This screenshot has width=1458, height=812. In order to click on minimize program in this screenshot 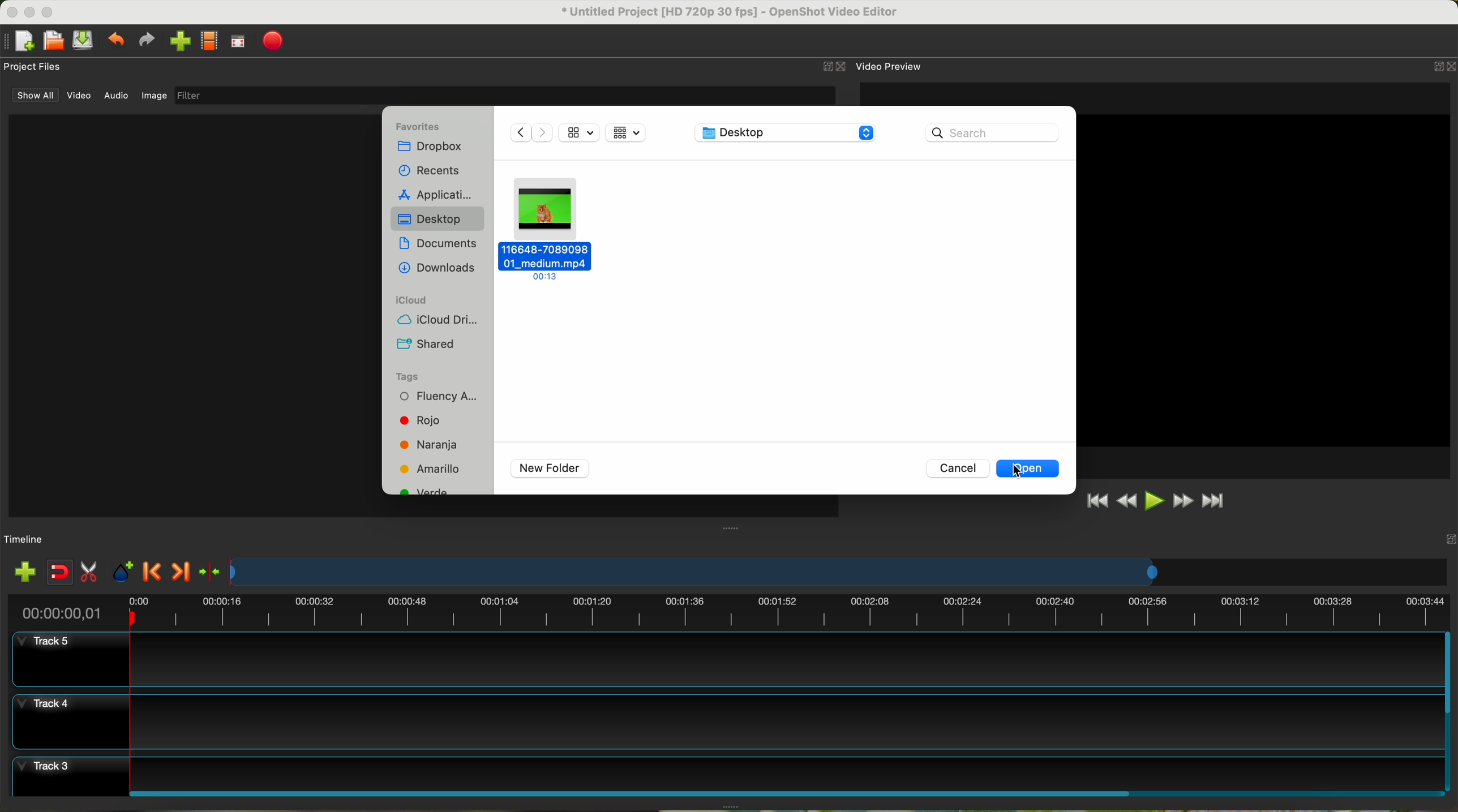, I will do `click(31, 12)`.